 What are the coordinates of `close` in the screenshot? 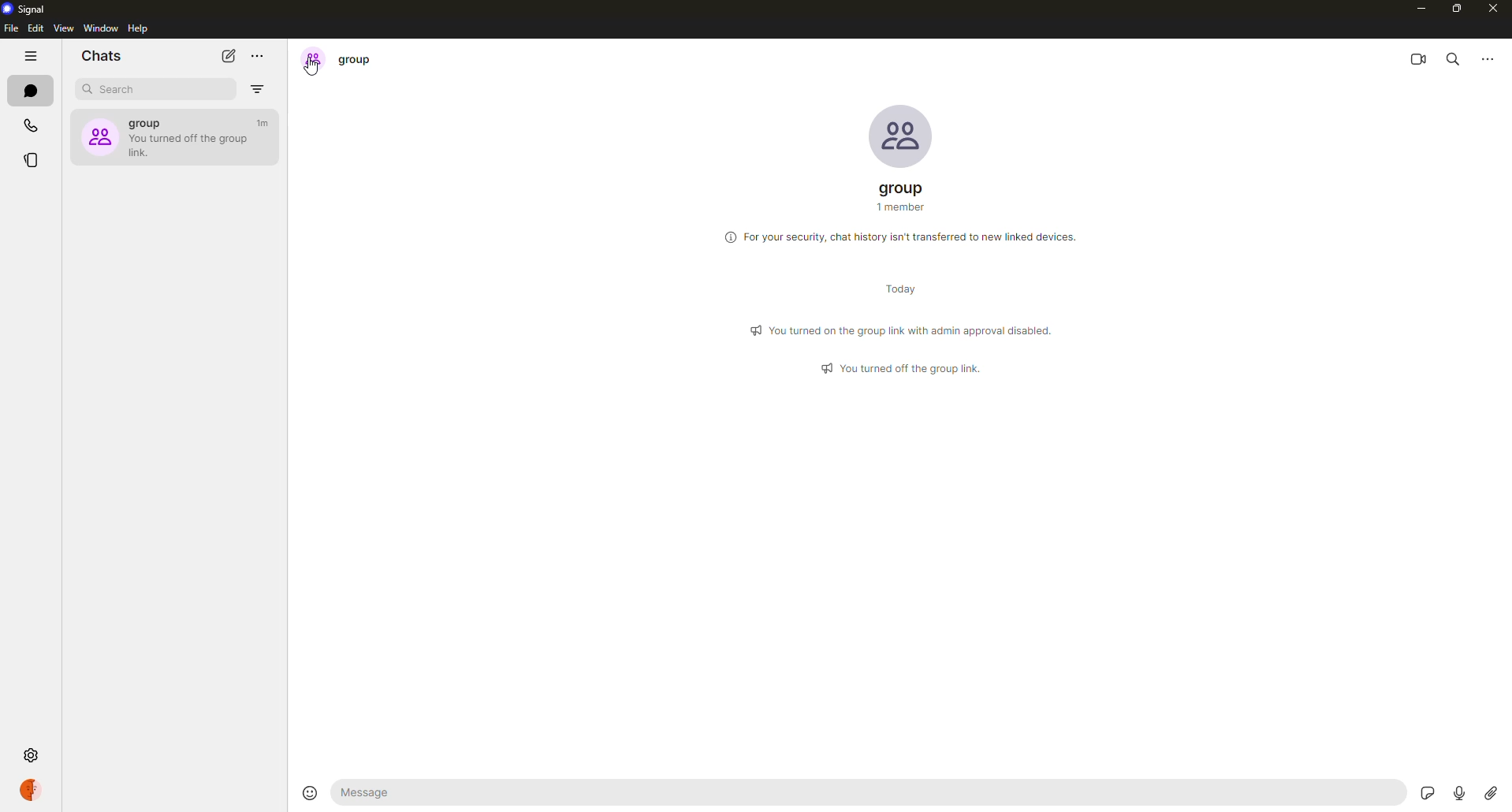 It's located at (1495, 9).